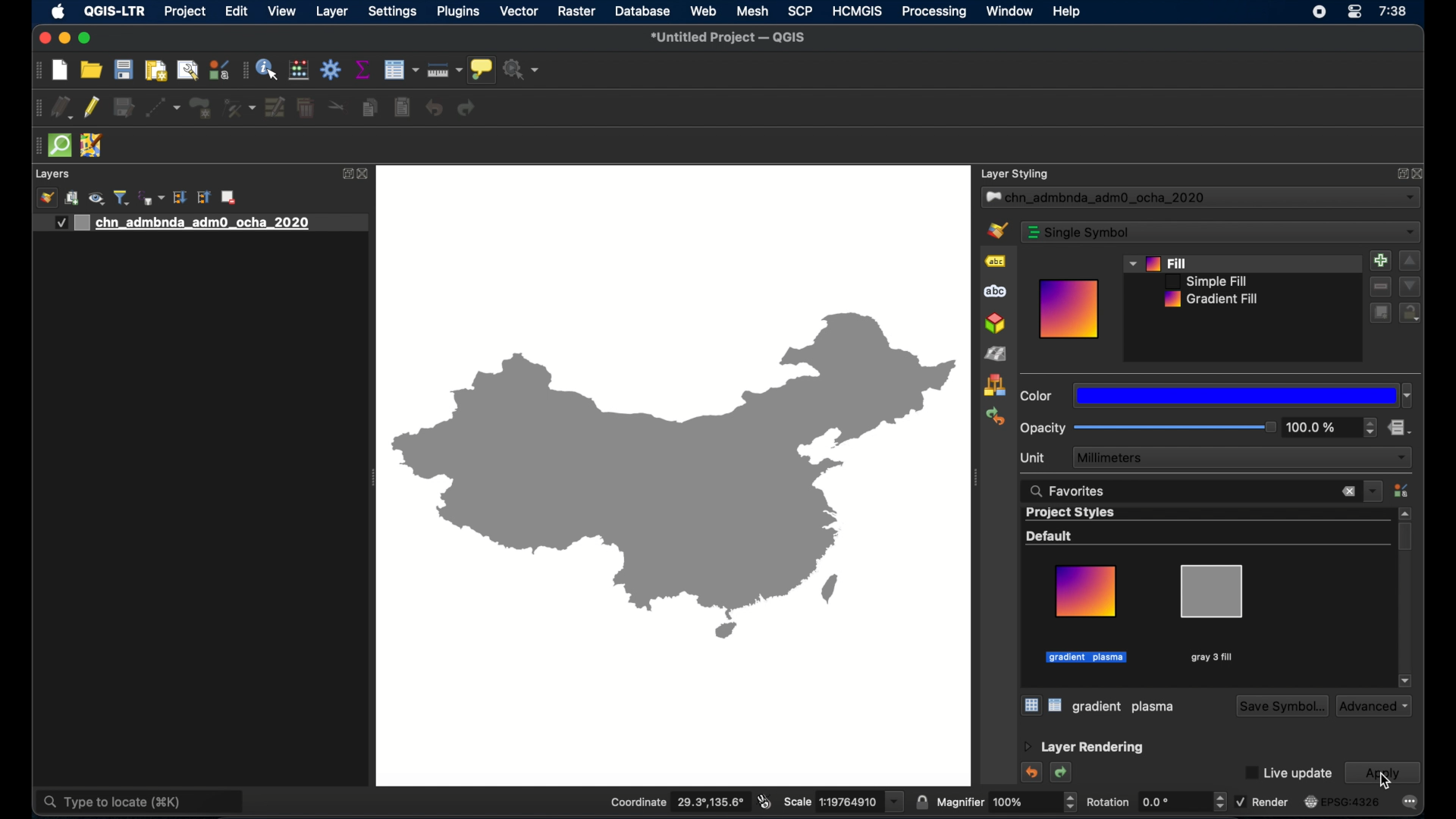 Image resolution: width=1456 pixels, height=819 pixels. I want to click on shading renderer, so click(997, 355).